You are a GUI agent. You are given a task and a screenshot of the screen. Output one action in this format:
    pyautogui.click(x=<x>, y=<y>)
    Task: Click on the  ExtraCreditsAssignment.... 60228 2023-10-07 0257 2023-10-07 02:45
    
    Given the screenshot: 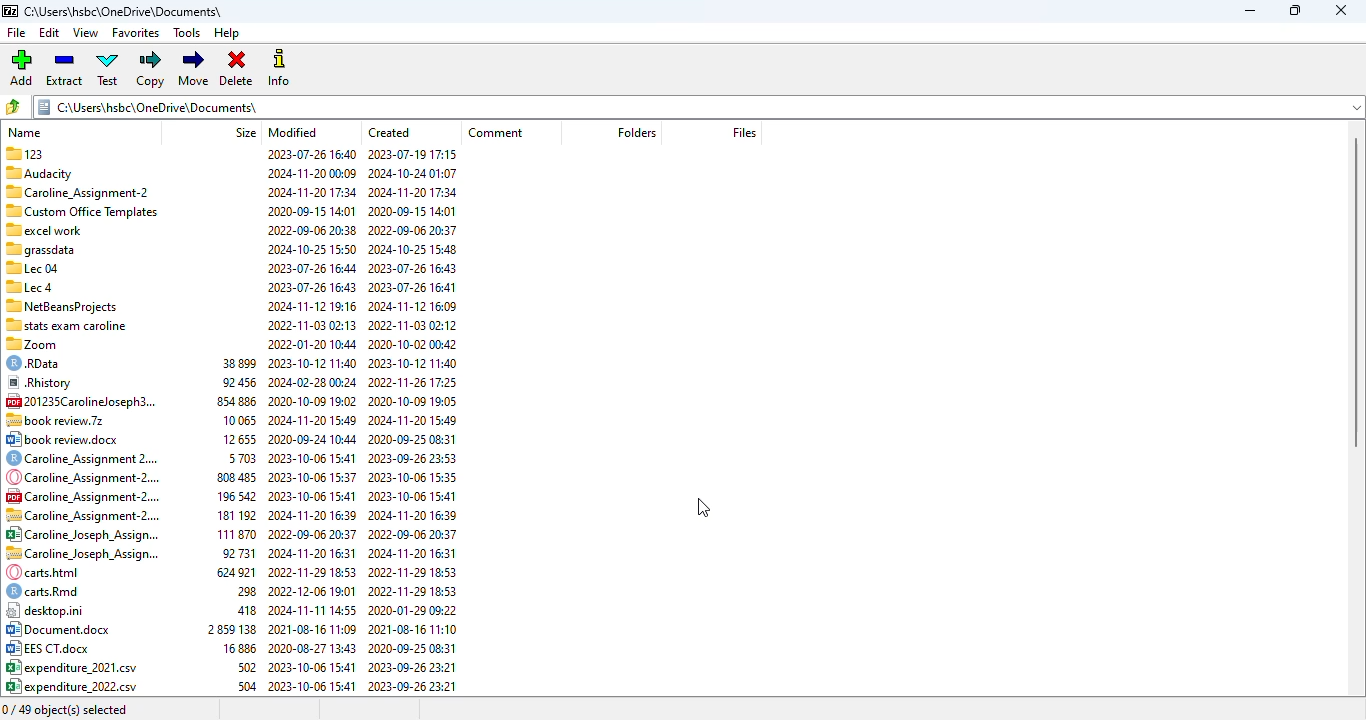 What is the action you would take?
    pyautogui.click(x=231, y=687)
    